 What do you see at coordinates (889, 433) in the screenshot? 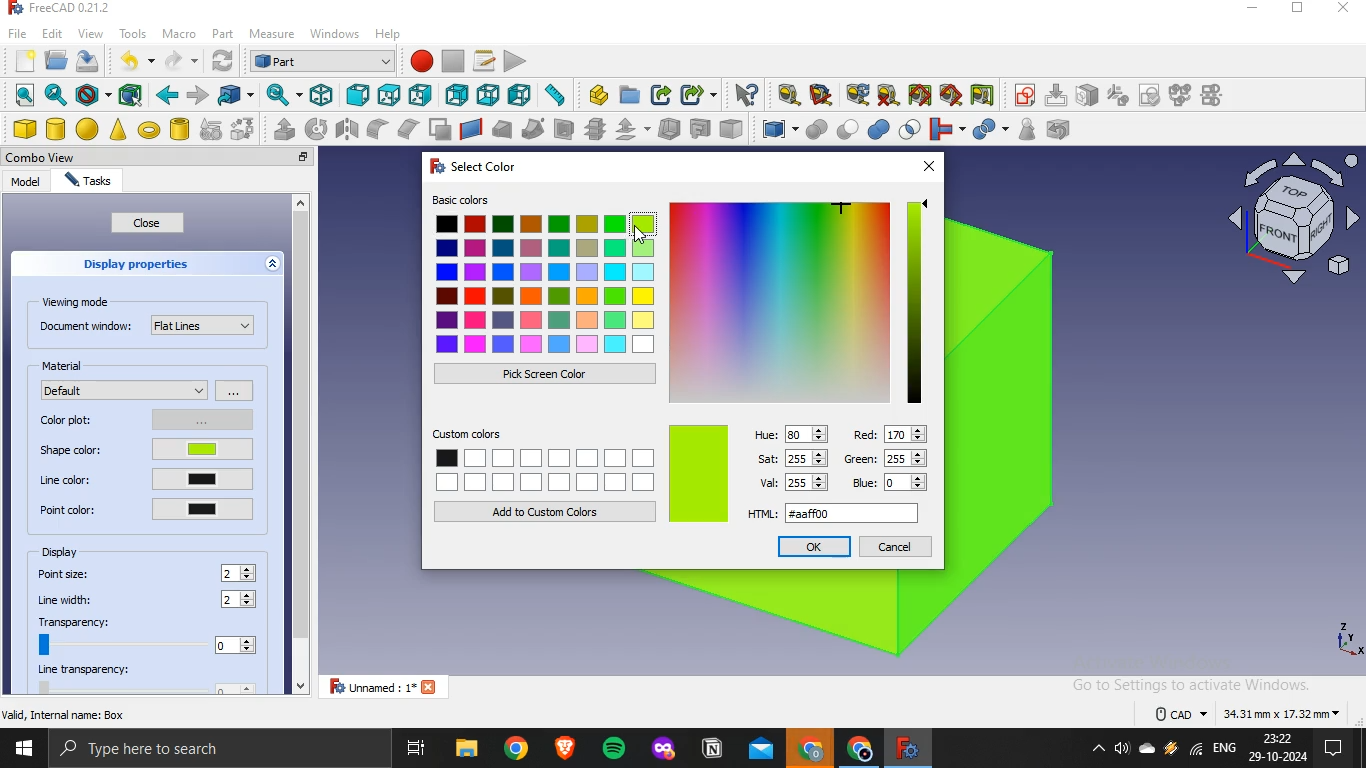
I see `red` at bounding box center [889, 433].